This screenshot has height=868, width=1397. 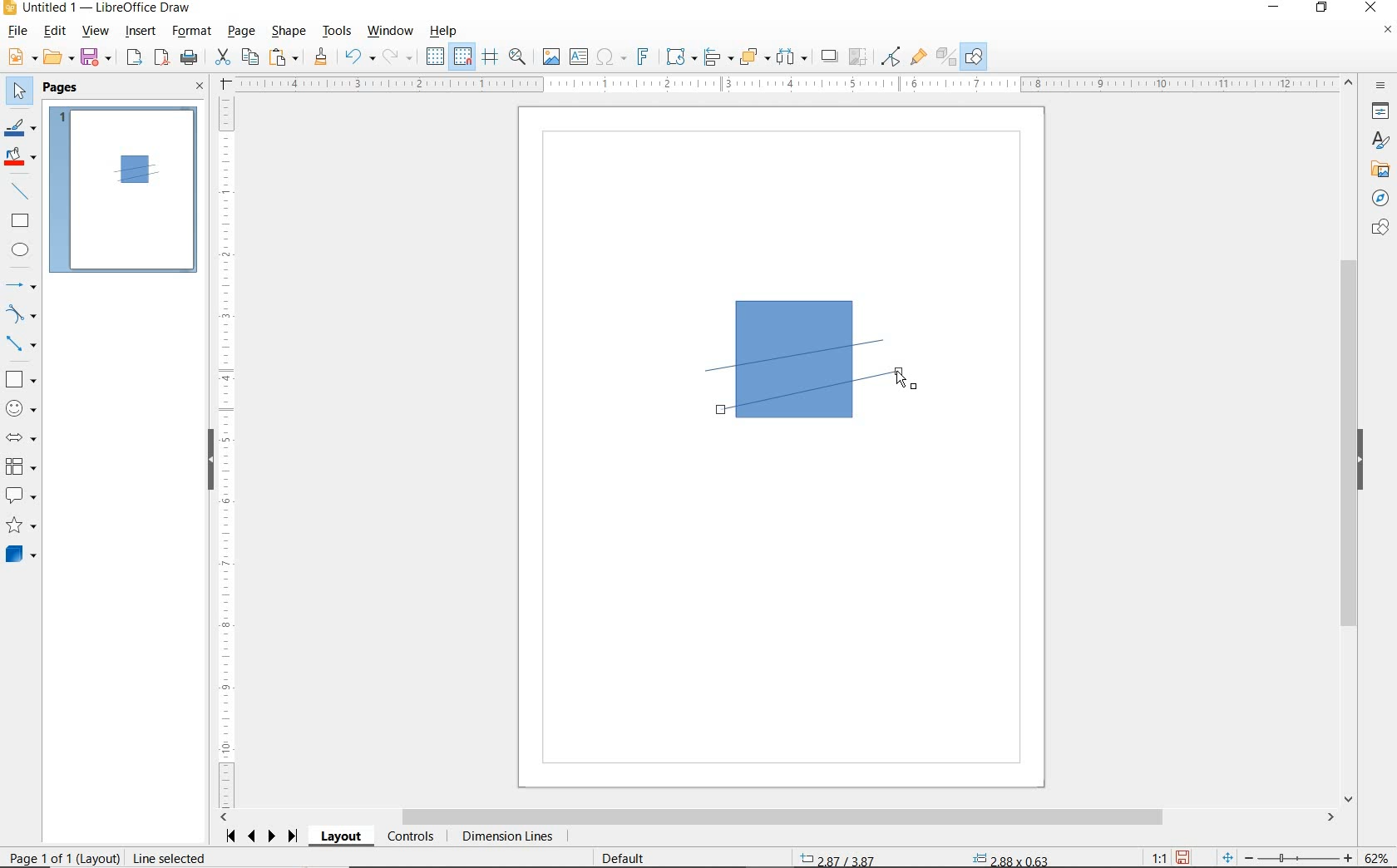 I want to click on SELECT AT LEAST THREE OBJECTS TO DISTRIBUTE, so click(x=792, y=57).